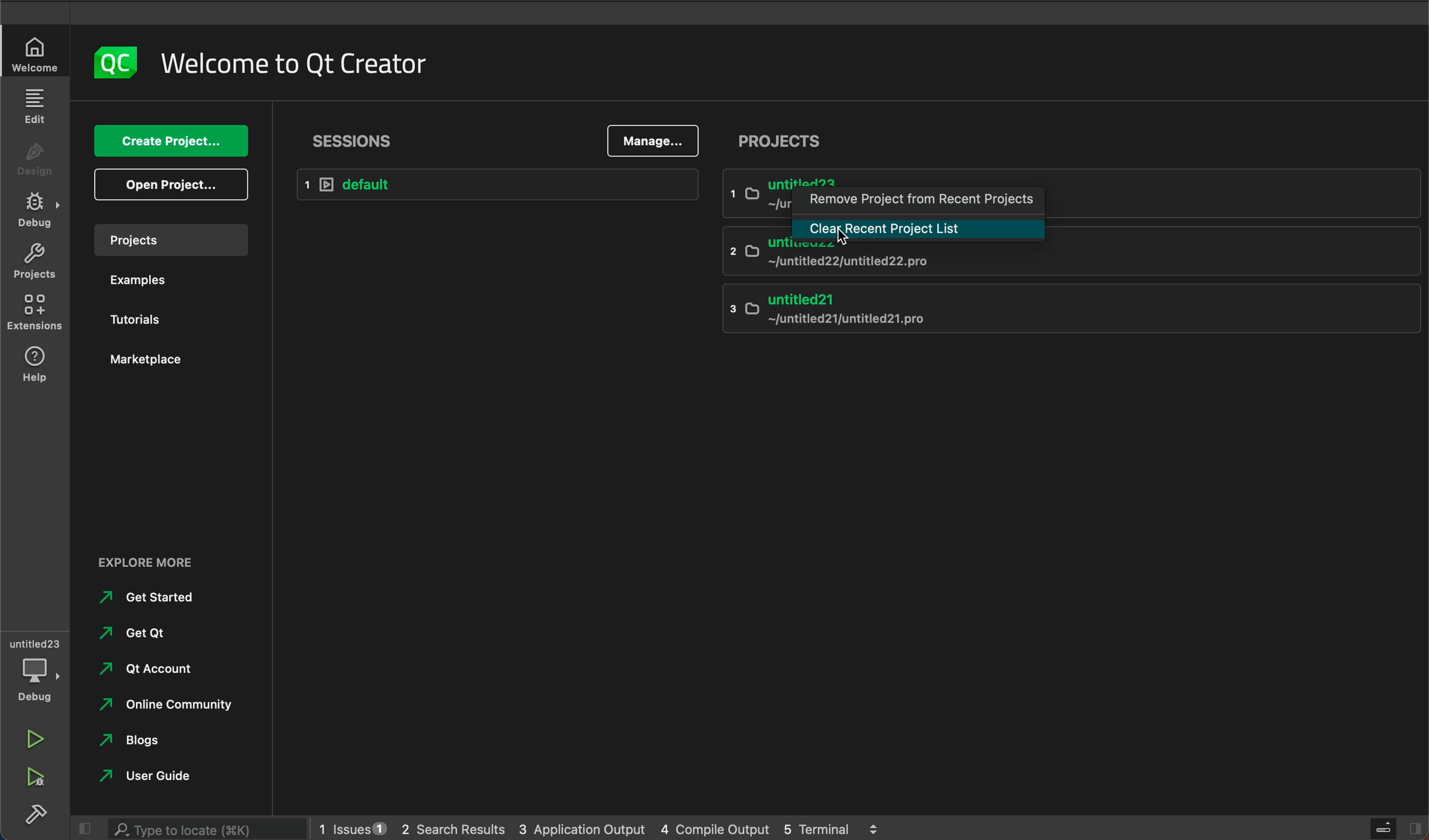  I want to click on explore more, so click(150, 562).